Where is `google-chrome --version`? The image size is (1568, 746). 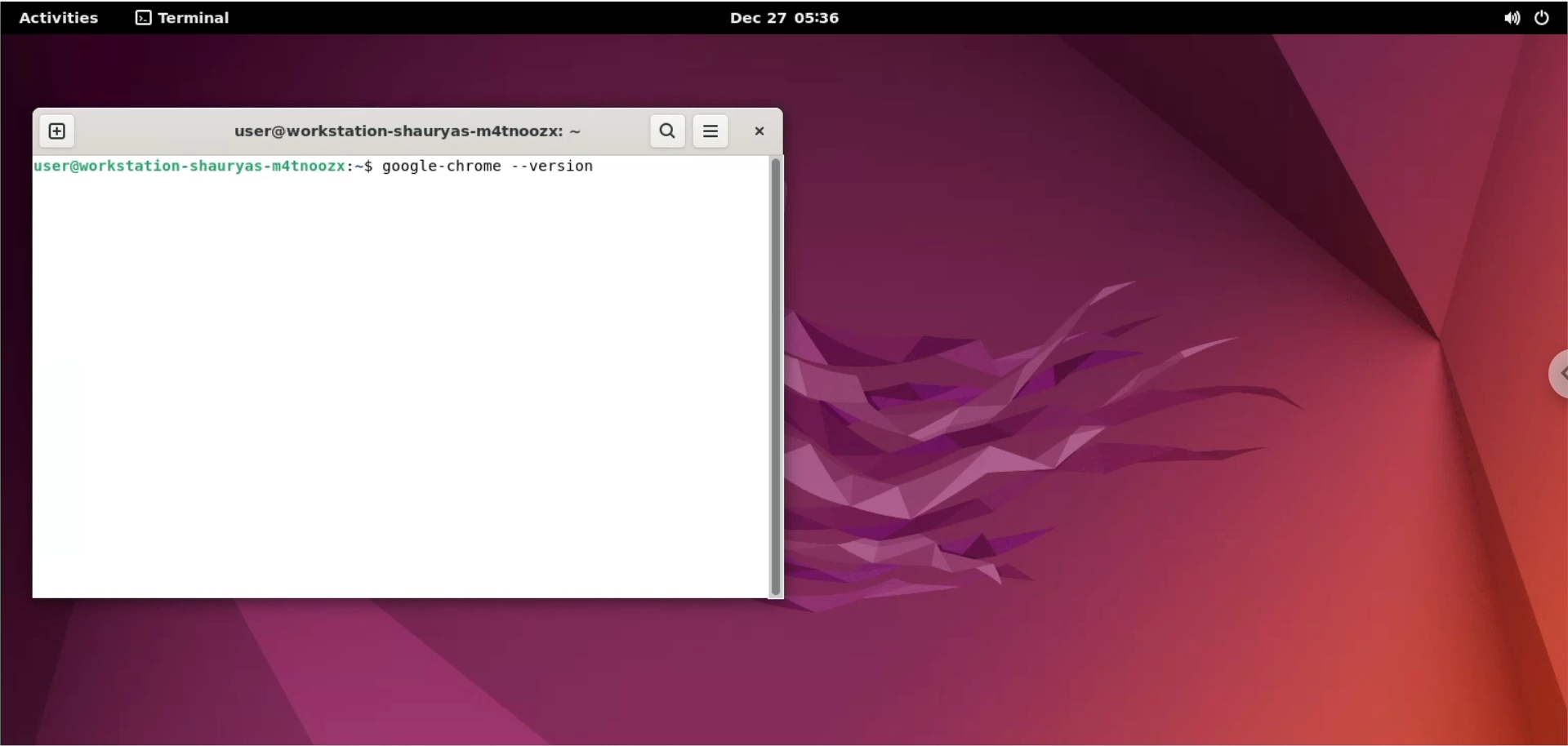 google-chrome --version is located at coordinates (492, 167).